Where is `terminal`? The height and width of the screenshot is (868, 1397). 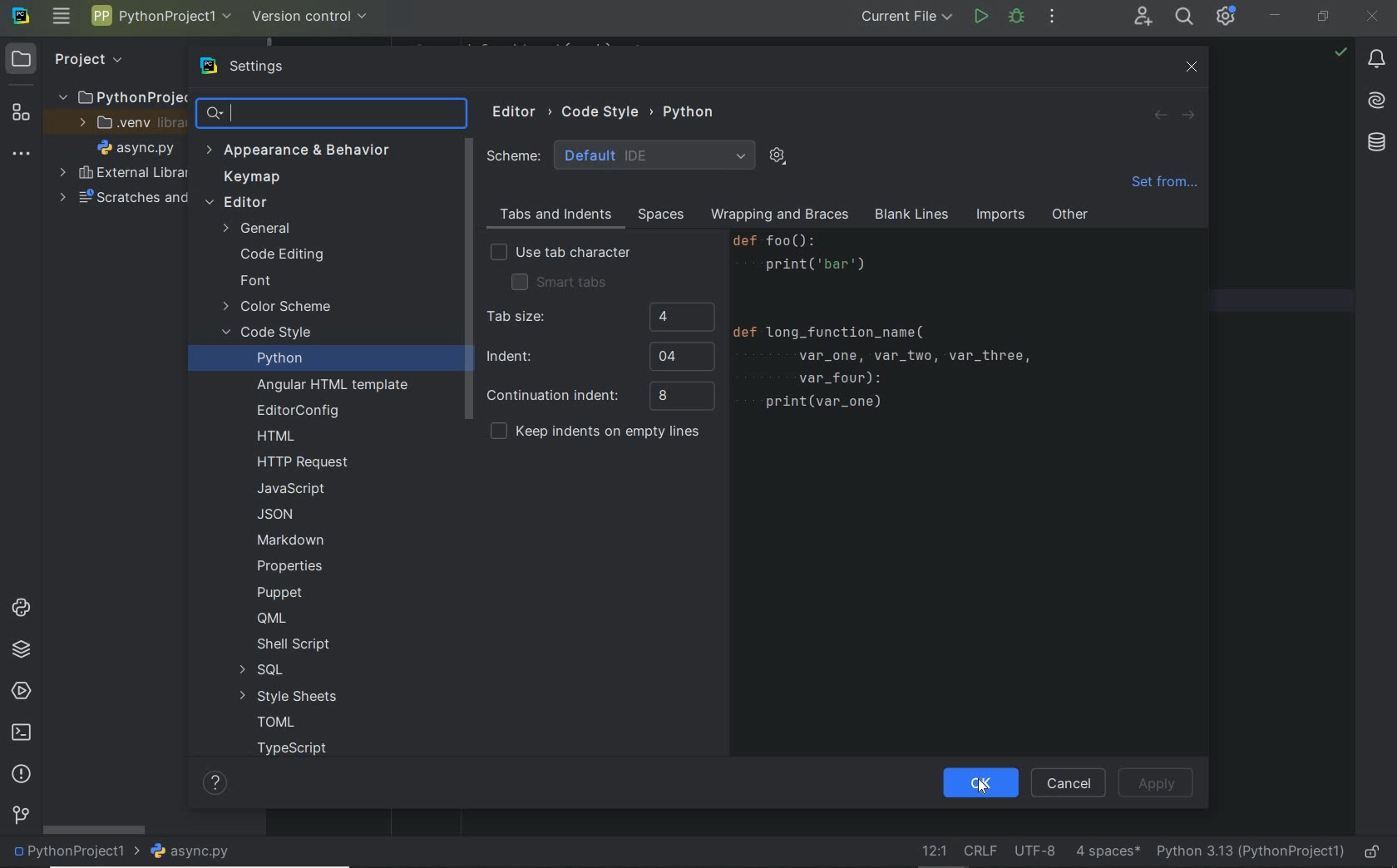
terminal is located at coordinates (22, 733).